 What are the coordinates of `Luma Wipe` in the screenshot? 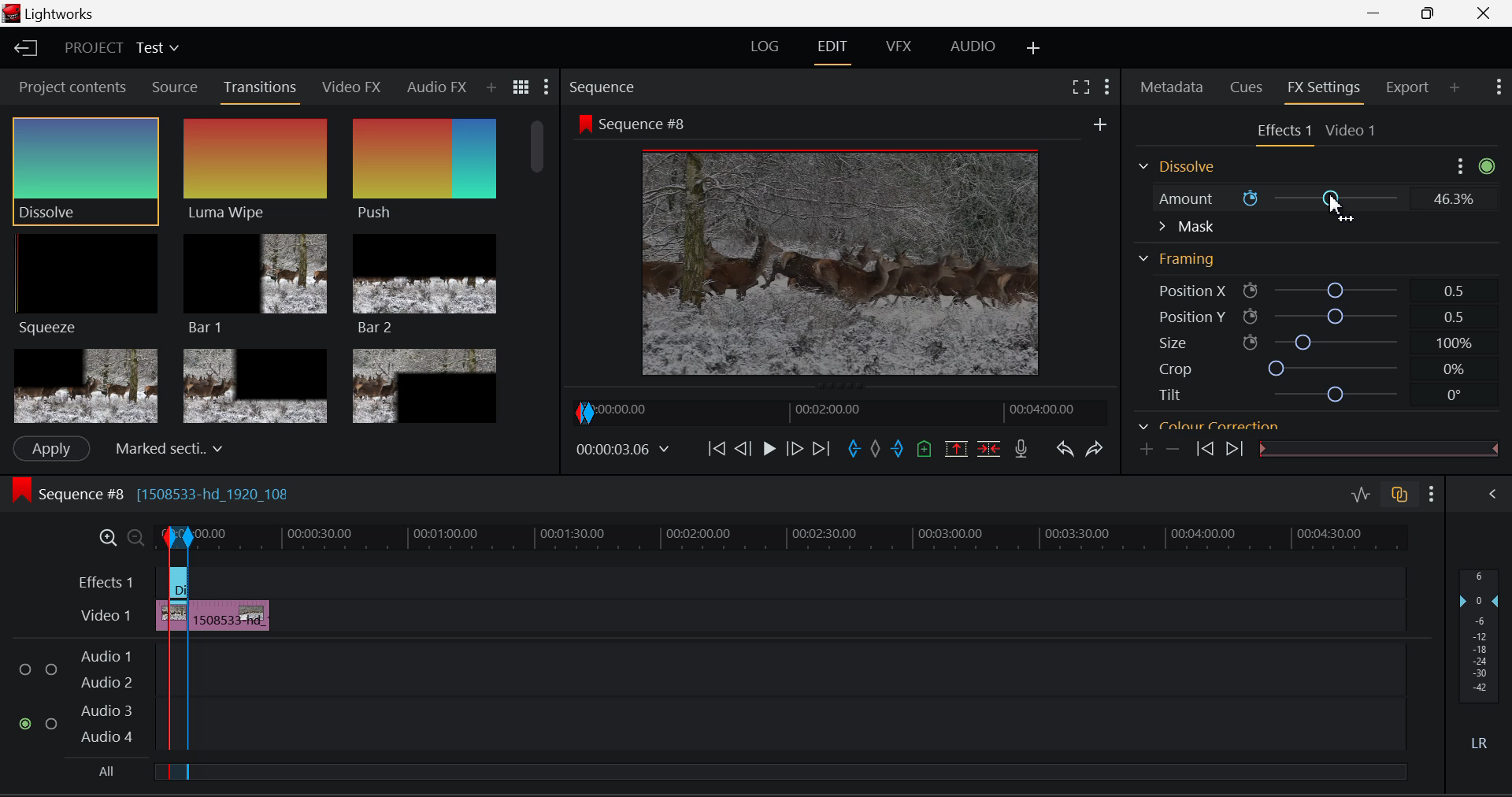 It's located at (256, 170).